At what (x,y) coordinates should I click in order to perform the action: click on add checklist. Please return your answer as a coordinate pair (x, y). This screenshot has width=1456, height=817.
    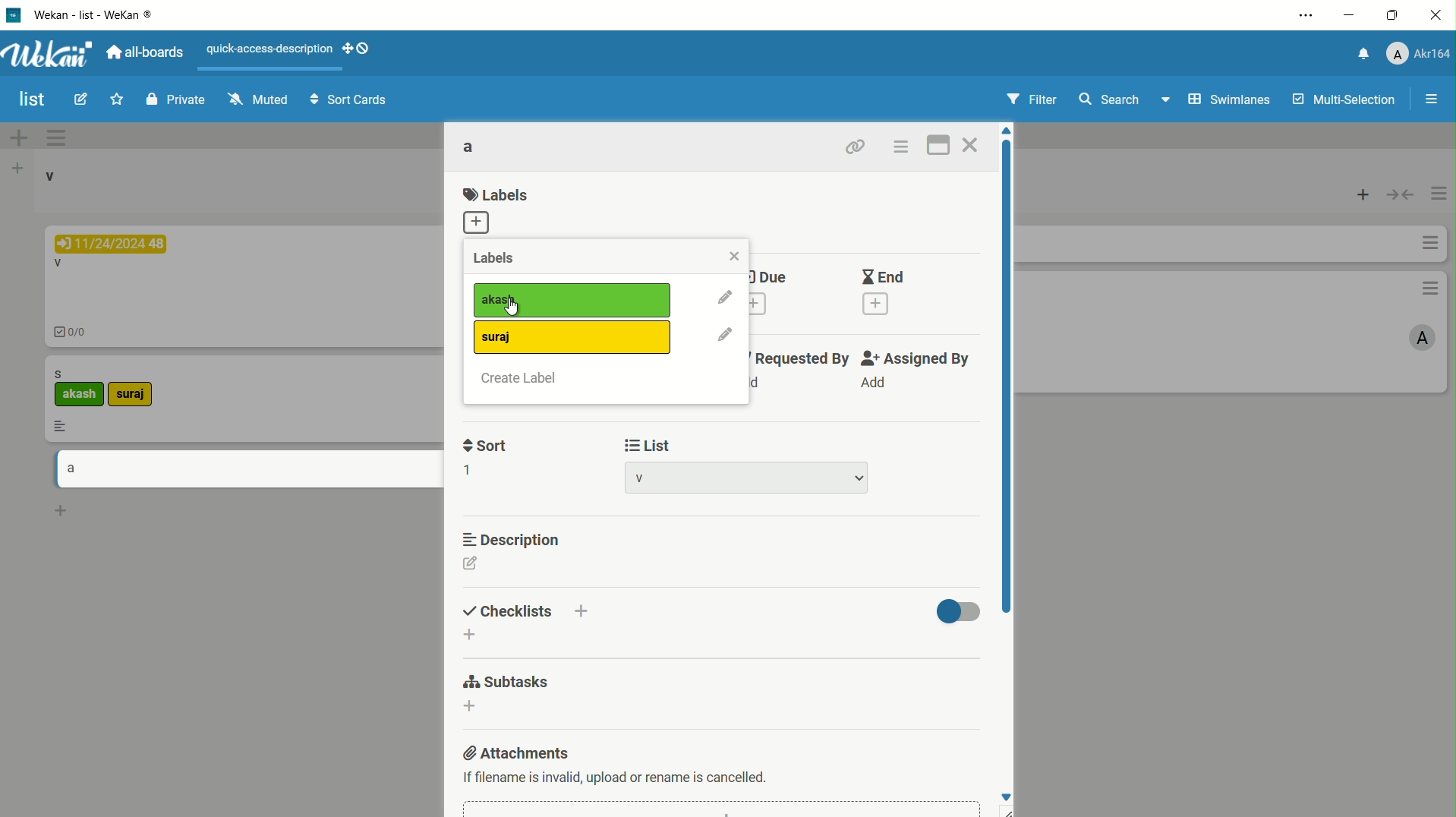
    Looking at the image, I should click on (581, 614).